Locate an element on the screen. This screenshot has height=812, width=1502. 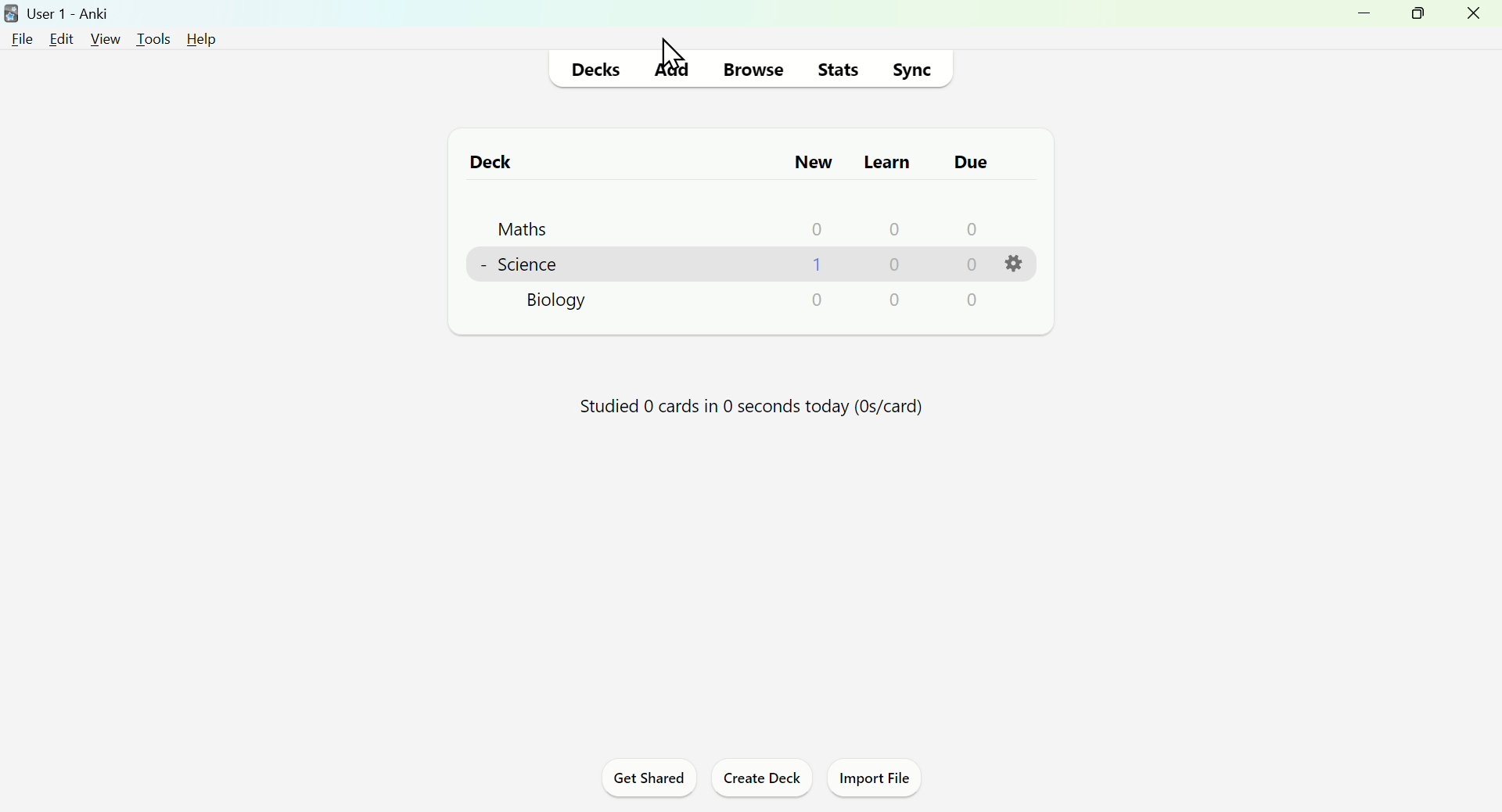
Maths is located at coordinates (524, 228).